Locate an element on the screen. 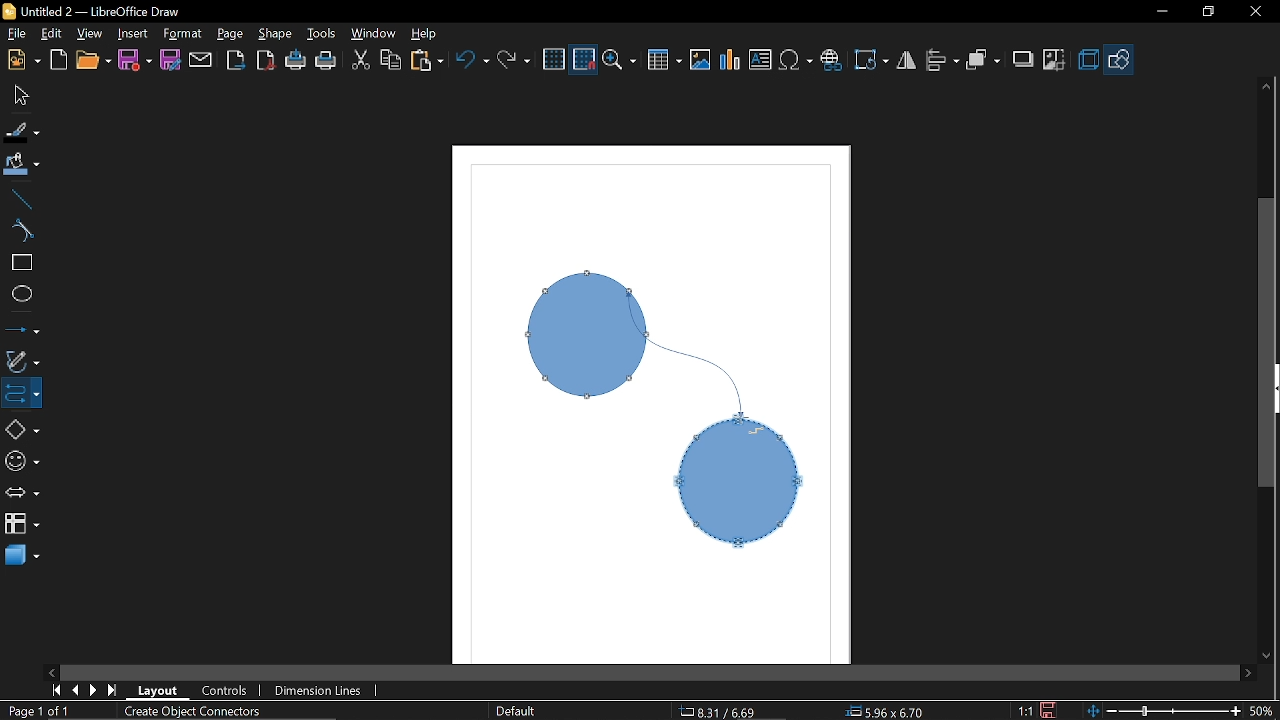 The width and height of the screenshot is (1280, 720). Allign is located at coordinates (942, 62).